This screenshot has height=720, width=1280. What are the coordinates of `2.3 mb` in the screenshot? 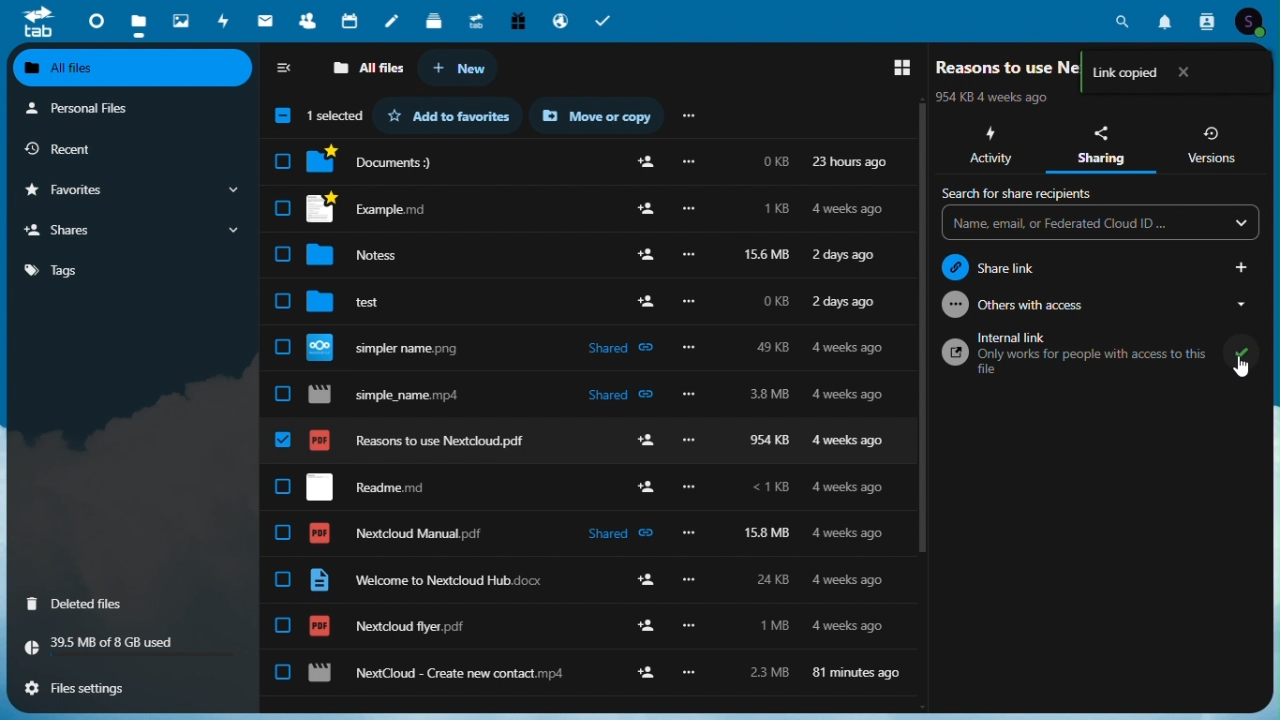 It's located at (771, 671).